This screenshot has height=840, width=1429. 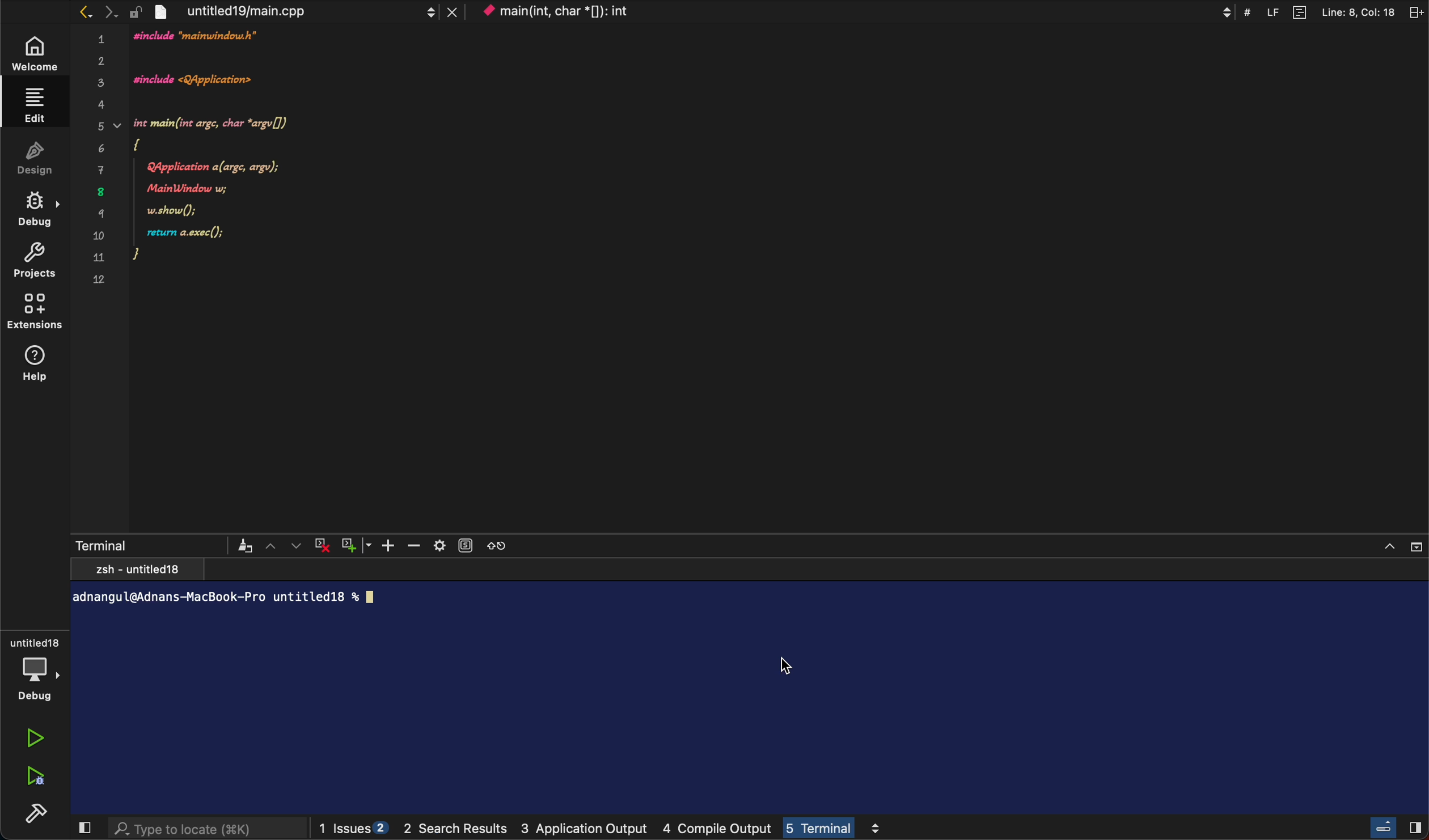 I want to click on edit, so click(x=35, y=106).